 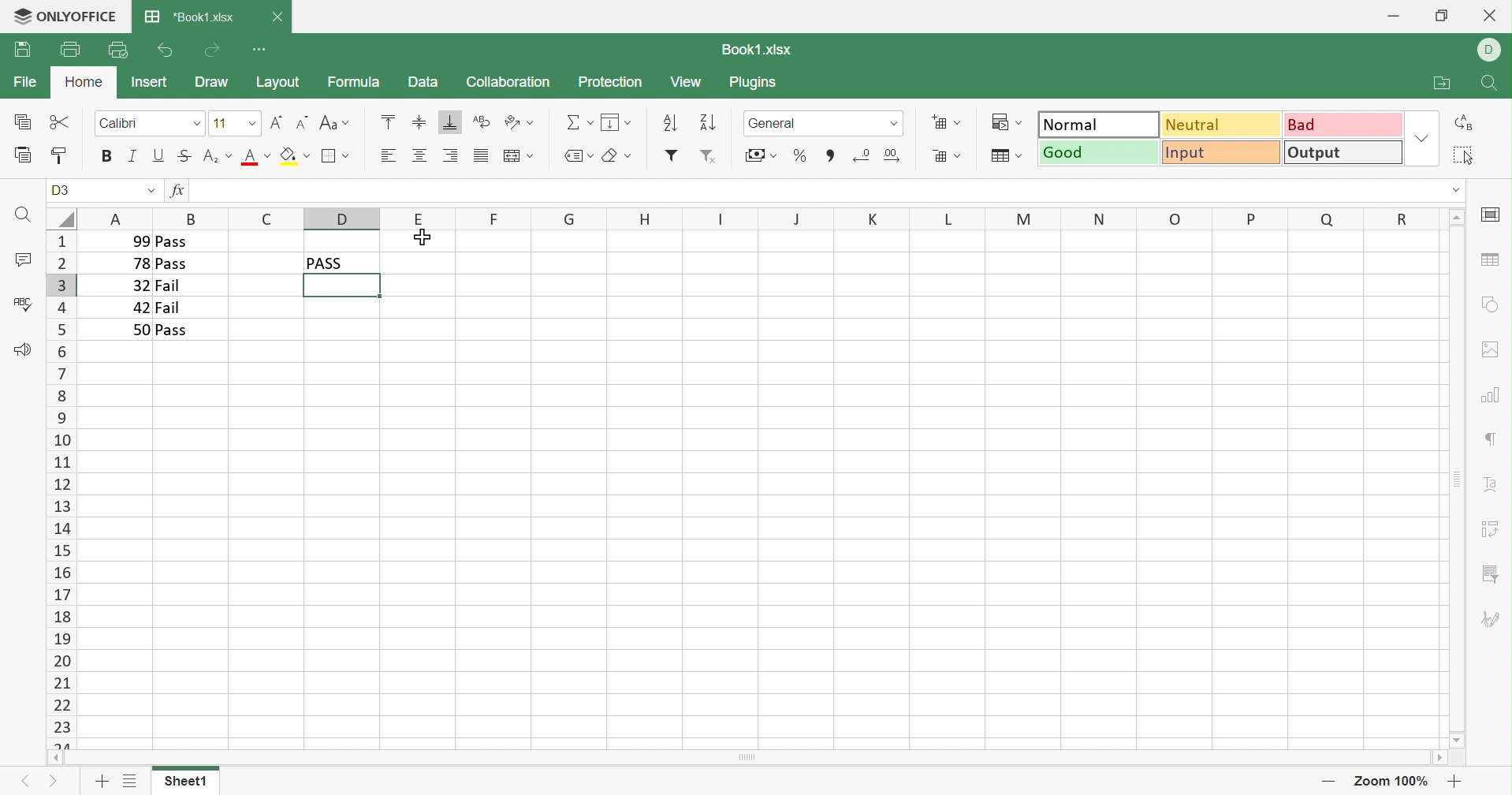 I want to click on Neutral, so click(x=1222, y=123).